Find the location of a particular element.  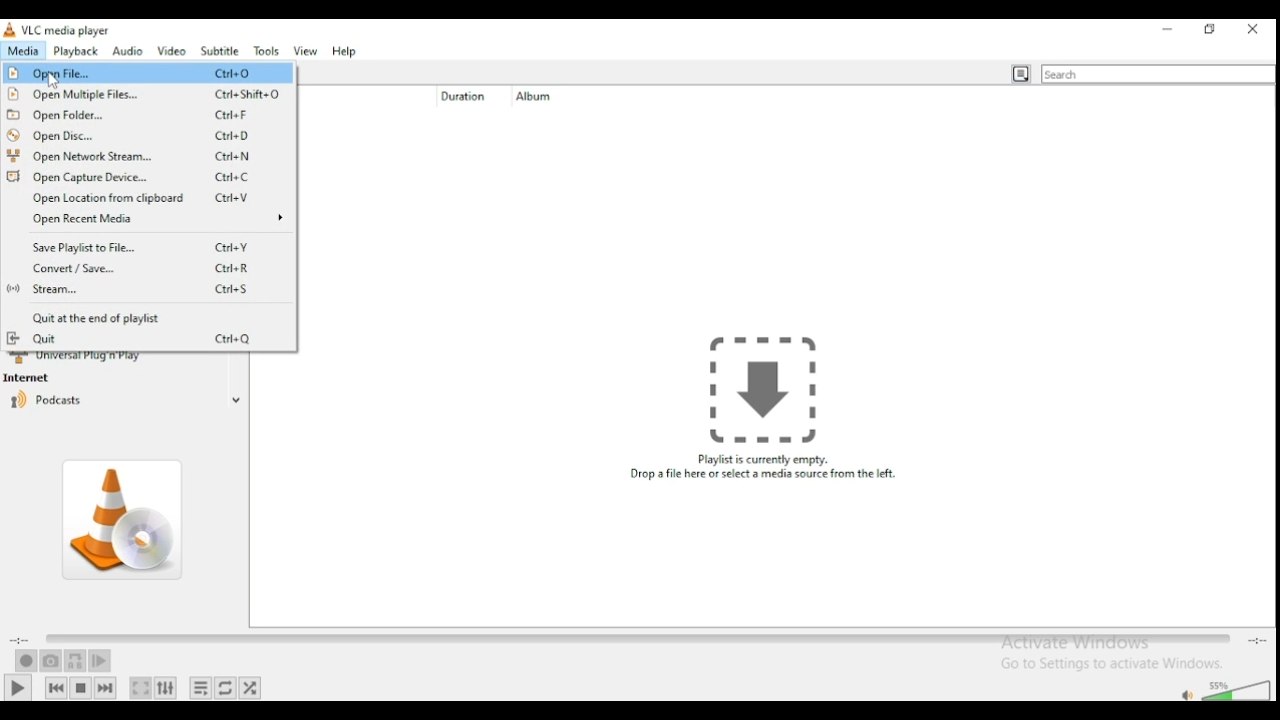

elapsed time is located at coordinates (18, 640).